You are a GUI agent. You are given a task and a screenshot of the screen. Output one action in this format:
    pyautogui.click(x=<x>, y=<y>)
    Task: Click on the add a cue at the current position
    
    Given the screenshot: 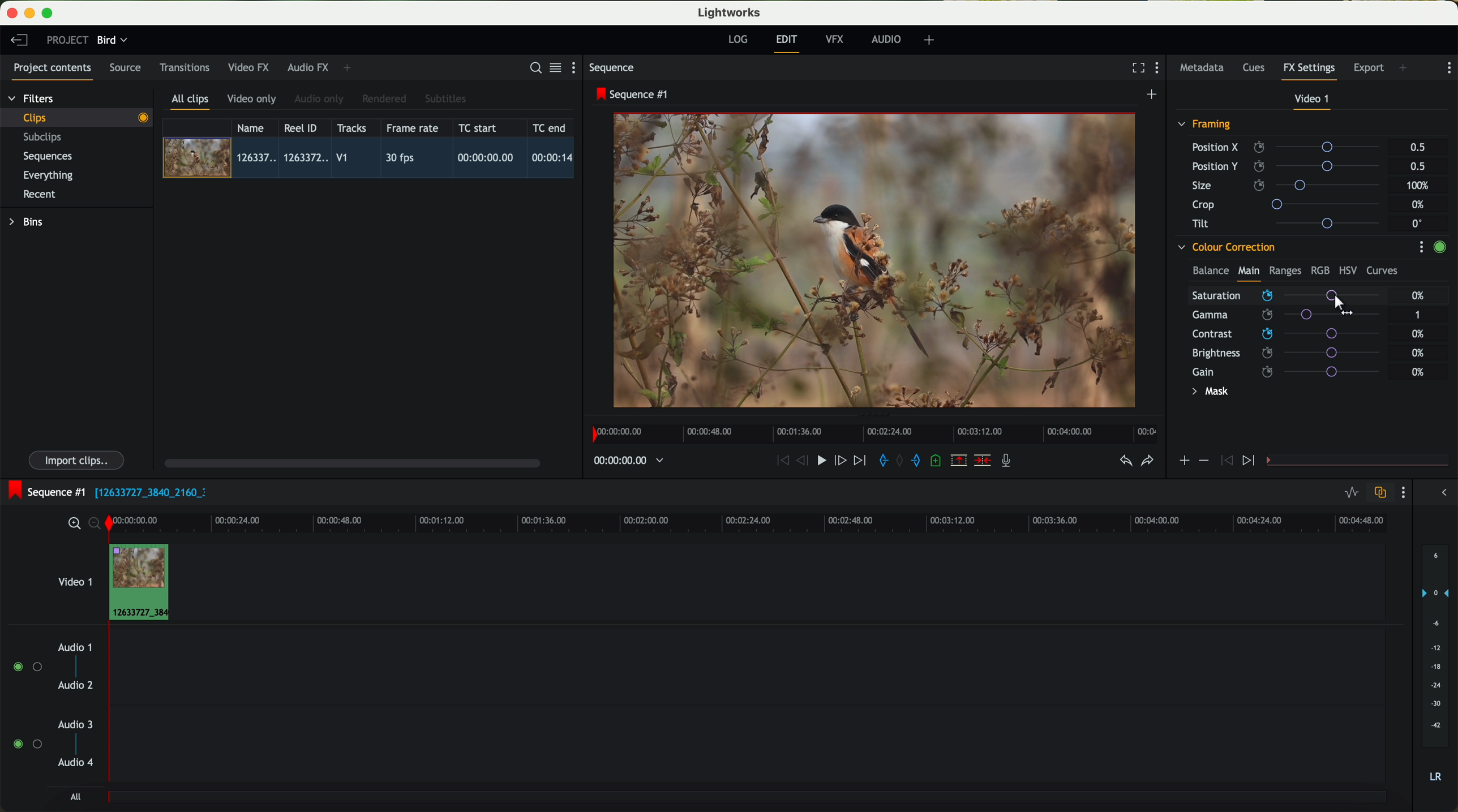 What is the action you would take?
    pyautogui.click(x=937, y=461)
    